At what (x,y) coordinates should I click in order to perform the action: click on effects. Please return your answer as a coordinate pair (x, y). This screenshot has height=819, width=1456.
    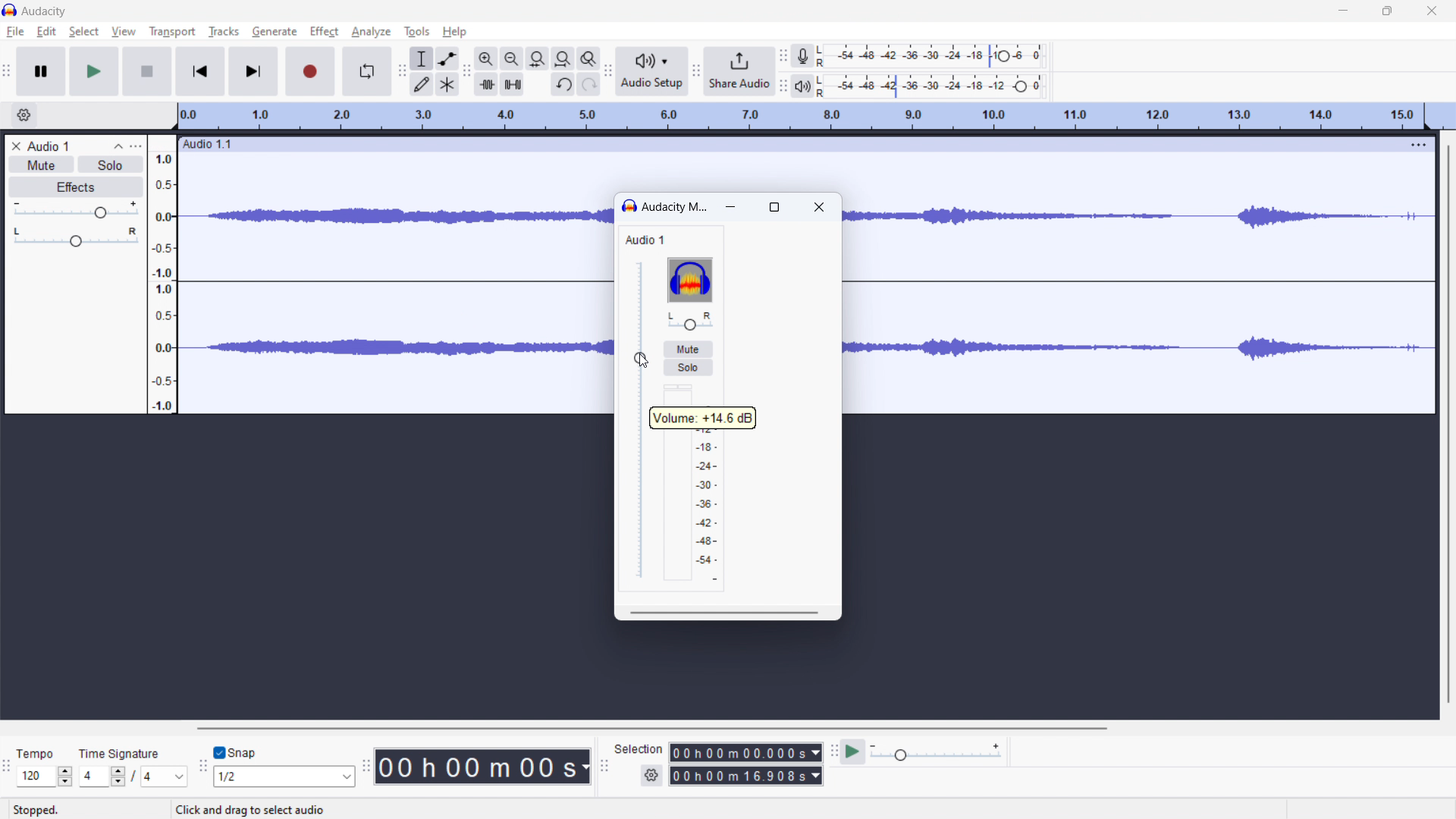
    Looking at the image, I should click on (77, 187).